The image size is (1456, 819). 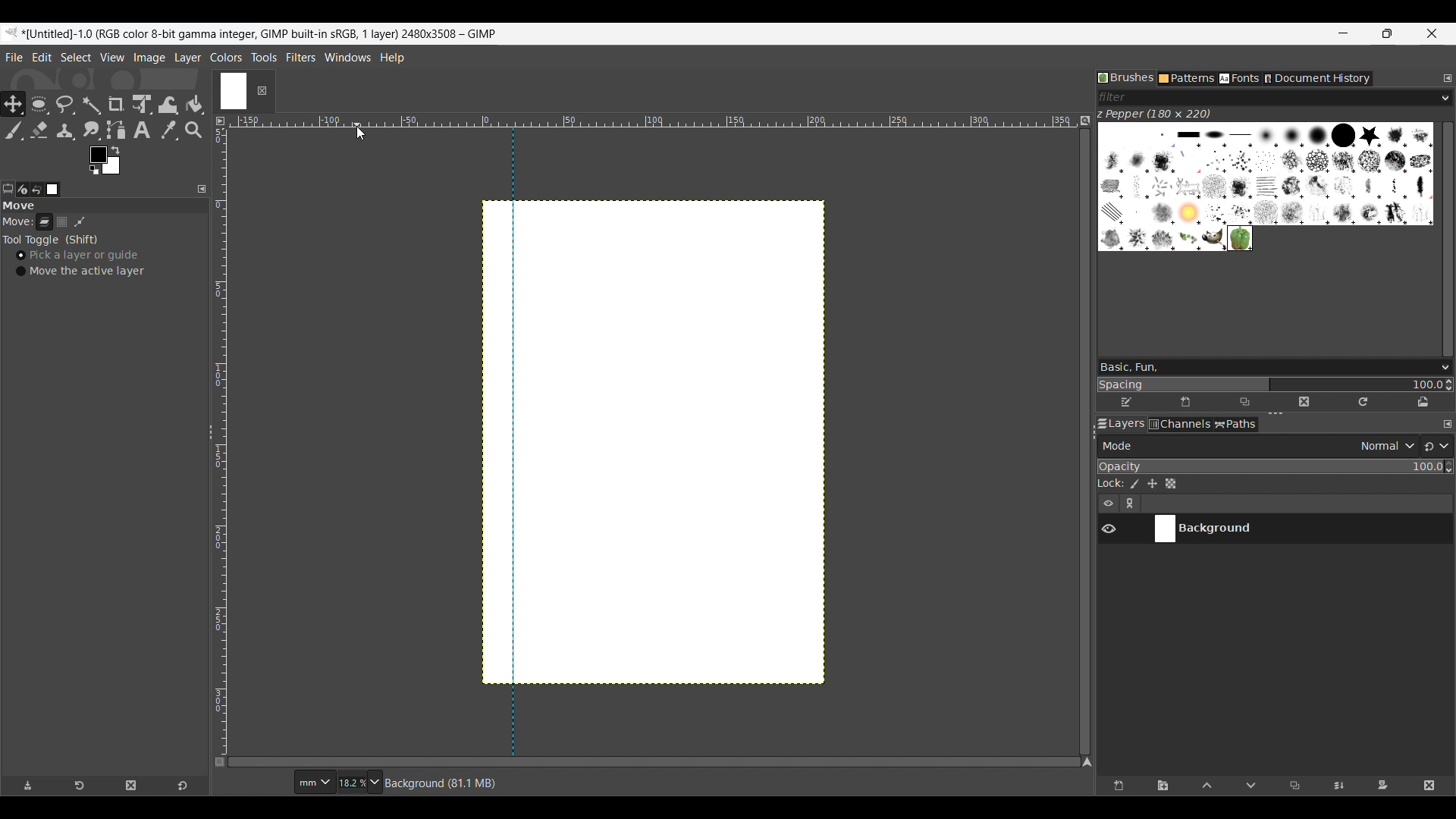 What do you see at coordinates (182, 786) in the screenshot?
I see `Reset to default values` at bounding box center [182, 786].